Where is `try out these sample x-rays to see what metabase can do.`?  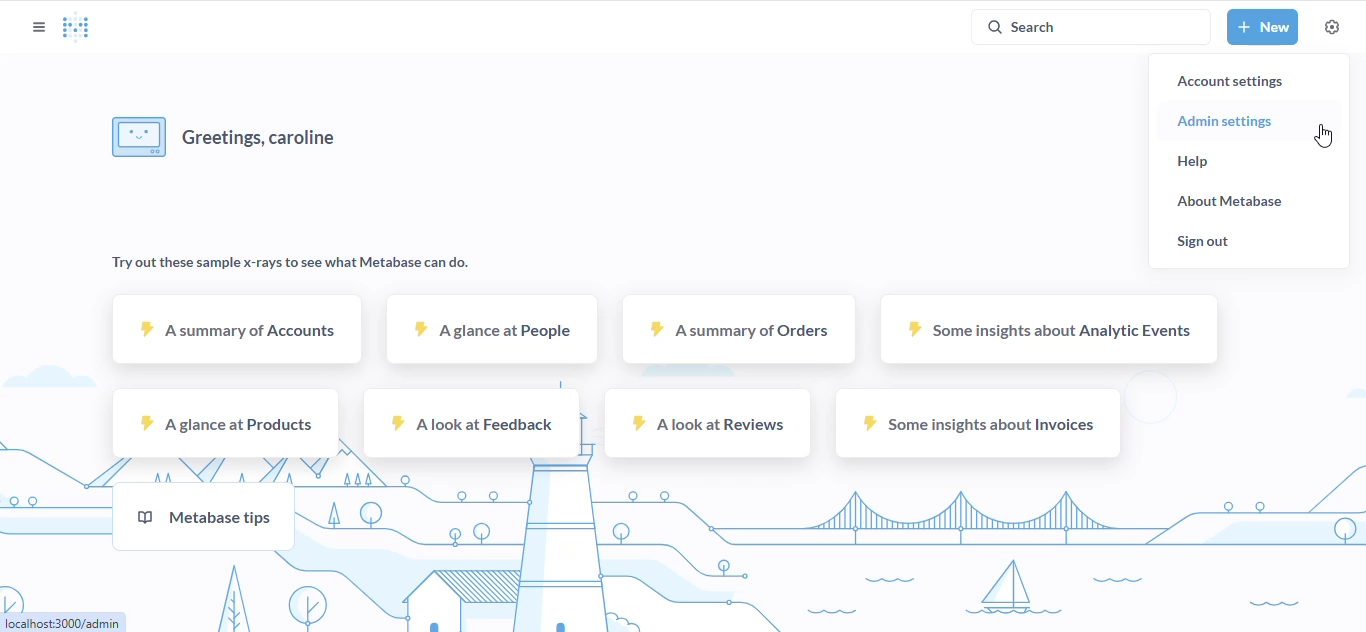 try out these sample x-rays to see what metabase can do. is located at coordinates (292, 263).